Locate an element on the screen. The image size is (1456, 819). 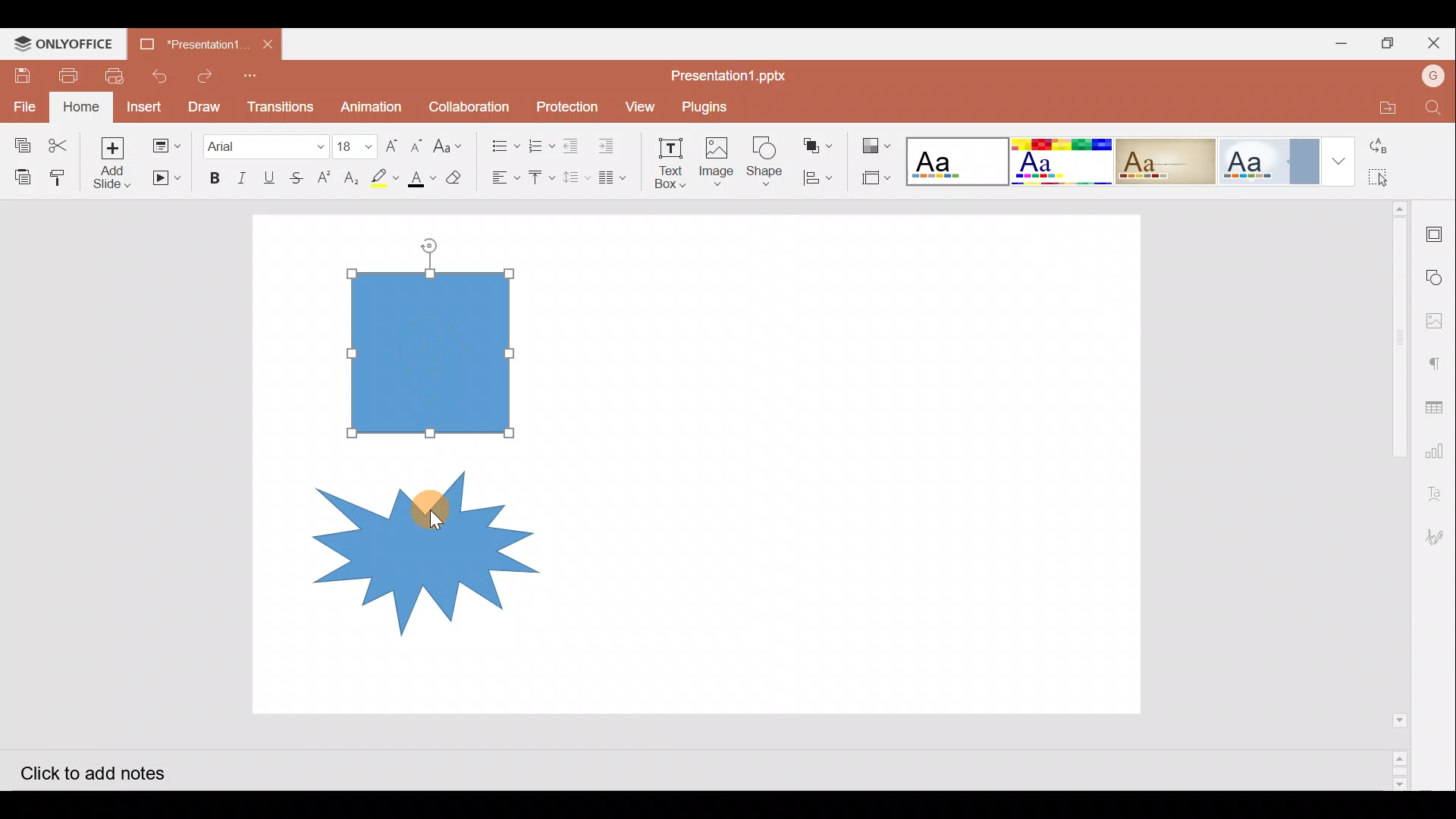
Add slide is located at coordinates (111, 162).